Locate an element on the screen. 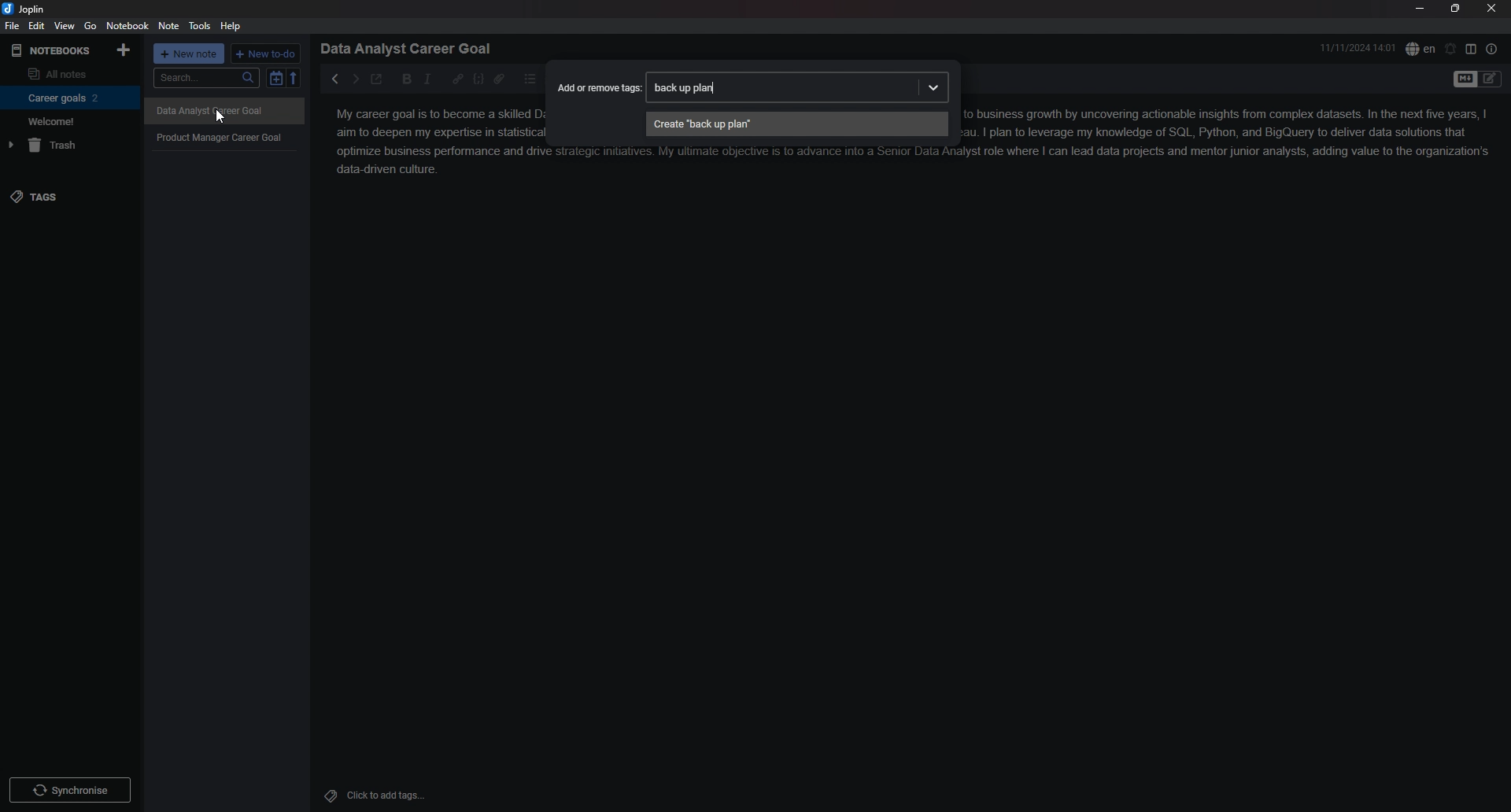  tools is located at coordinates (200, 26).